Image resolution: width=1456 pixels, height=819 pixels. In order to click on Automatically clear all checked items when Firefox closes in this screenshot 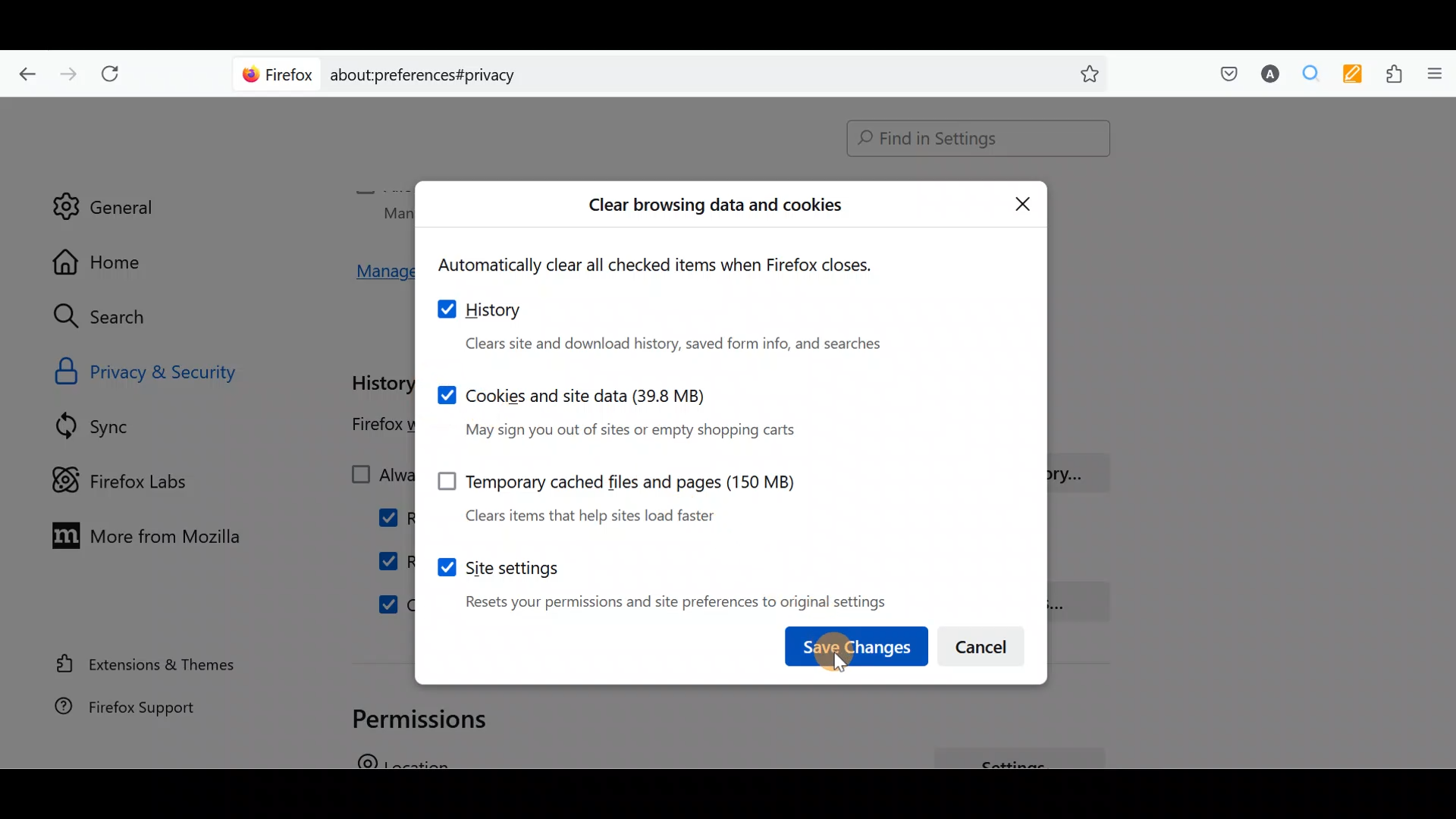, I will do `click(672, 265)`.